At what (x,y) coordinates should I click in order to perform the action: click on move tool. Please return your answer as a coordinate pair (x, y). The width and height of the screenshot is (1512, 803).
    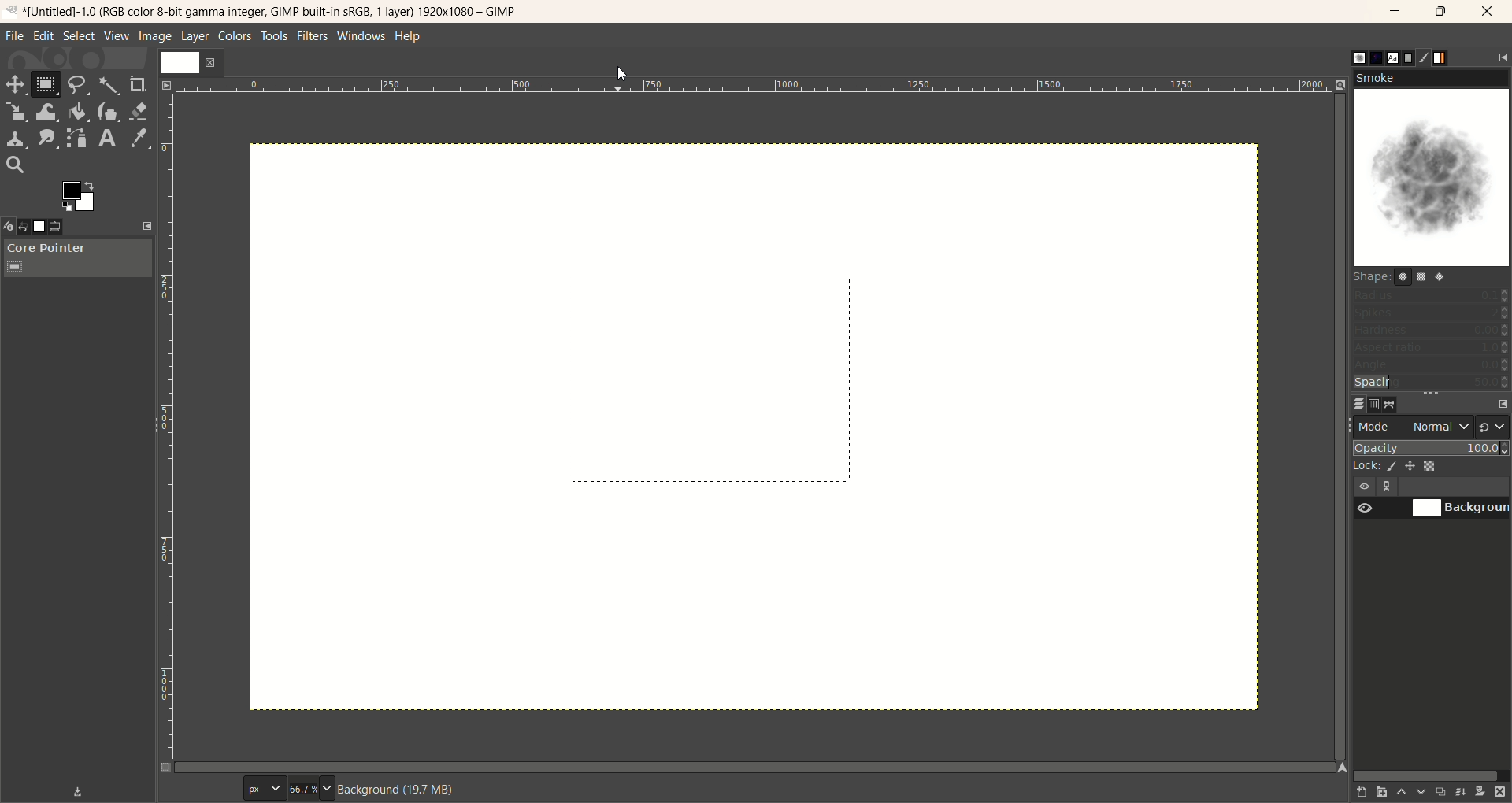
    Looking at the image, I should click on (14, 83).